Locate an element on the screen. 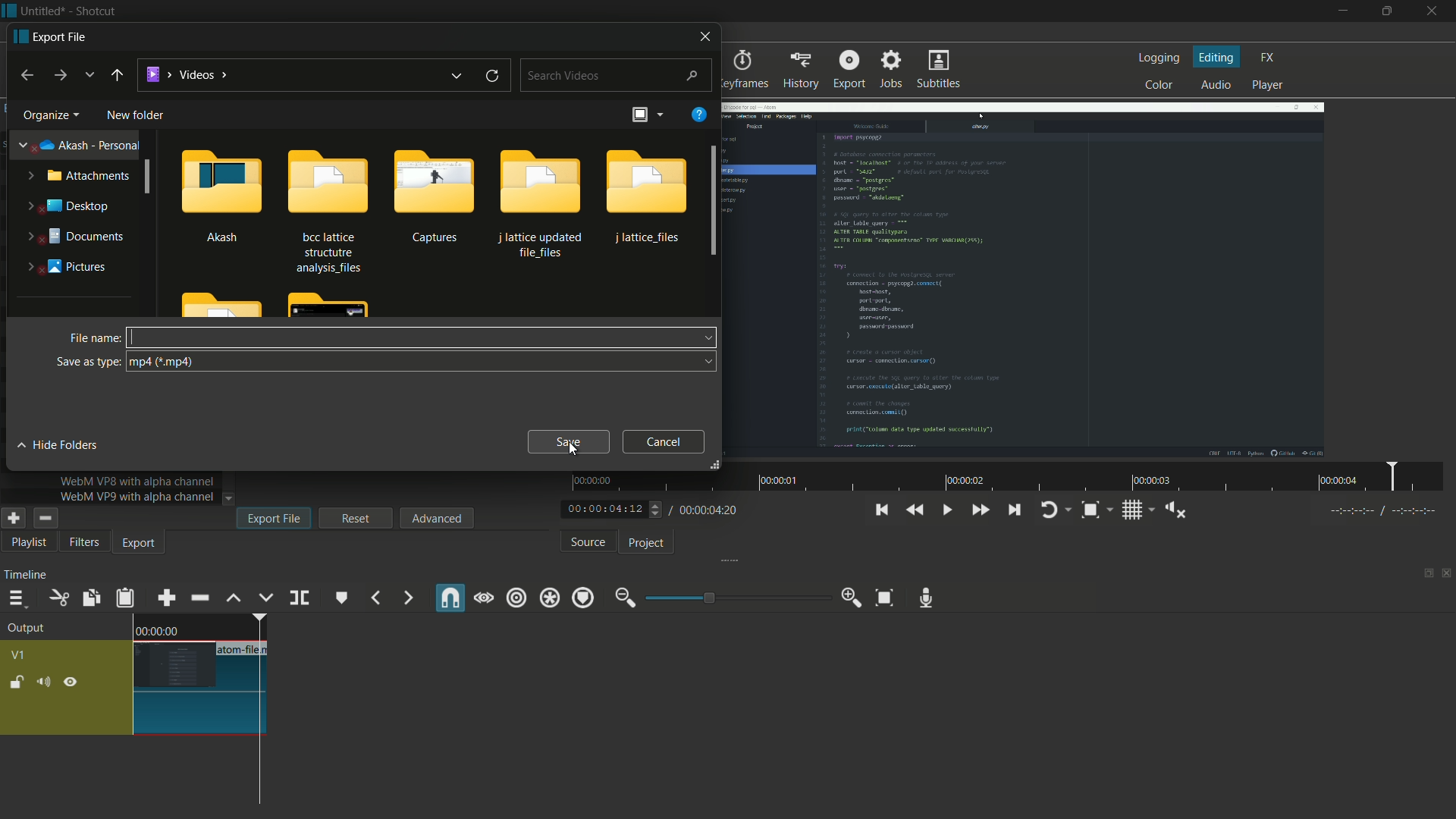 This screenshot has width=1456, height=819. webm vp8 with alpha channel is located at coordinates (137, 481).